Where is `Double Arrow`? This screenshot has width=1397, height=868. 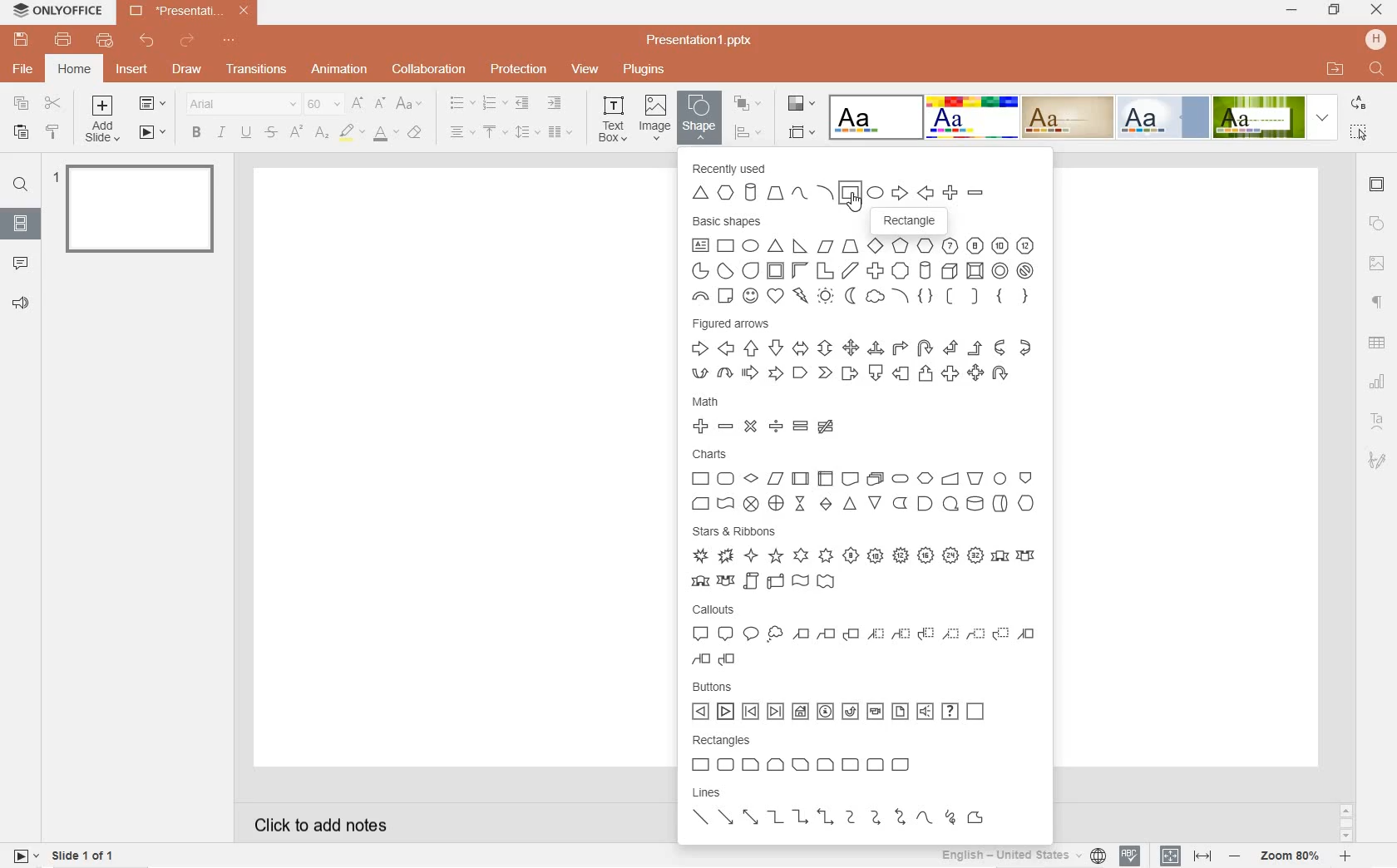 Double Arrow is located at coordinates (749, 816).